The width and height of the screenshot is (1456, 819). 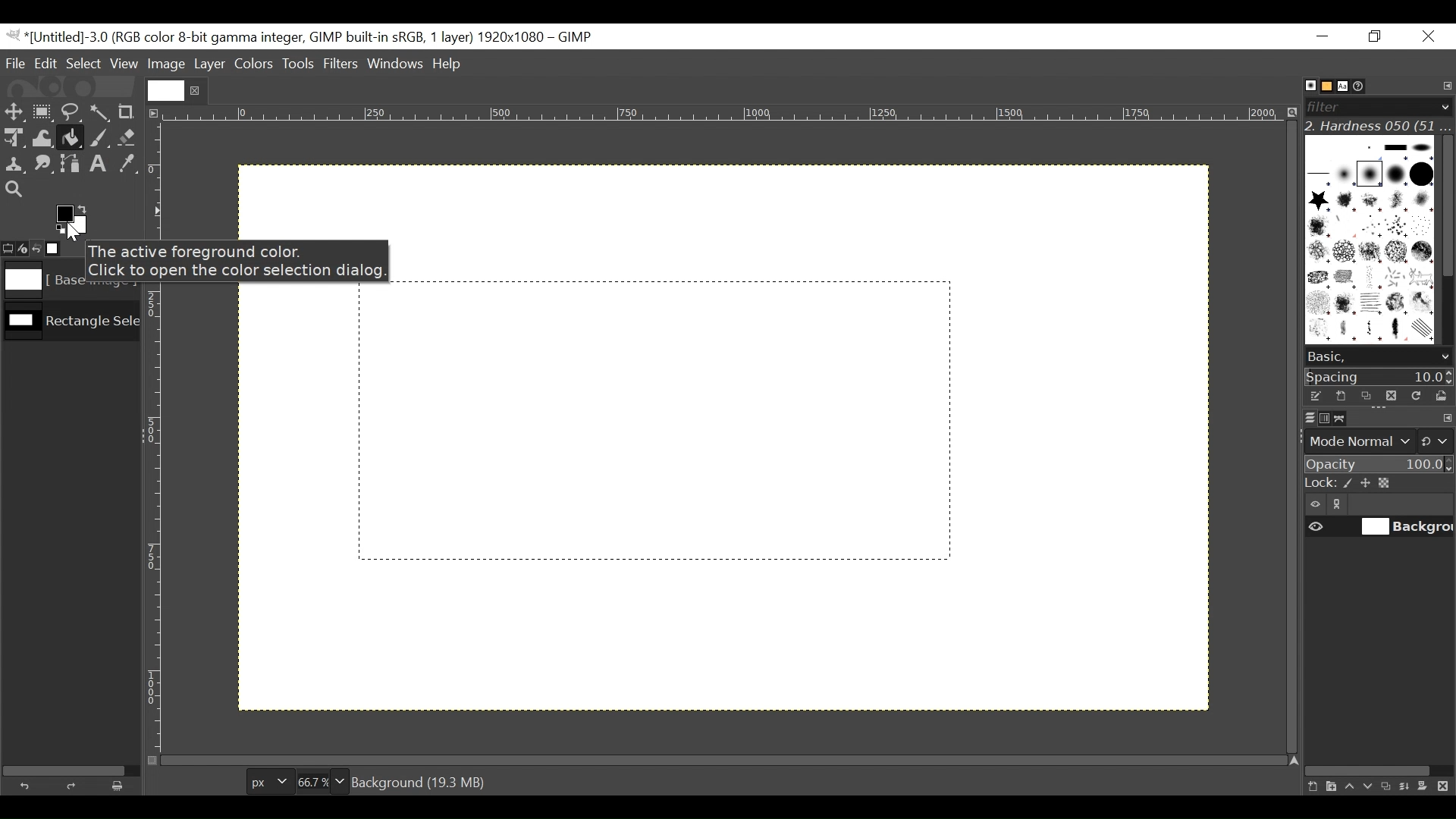 What do you see at coordinates (1315, 396) in the screenshot?
I see `Edit the brush` at bounding box center [1315, 396].